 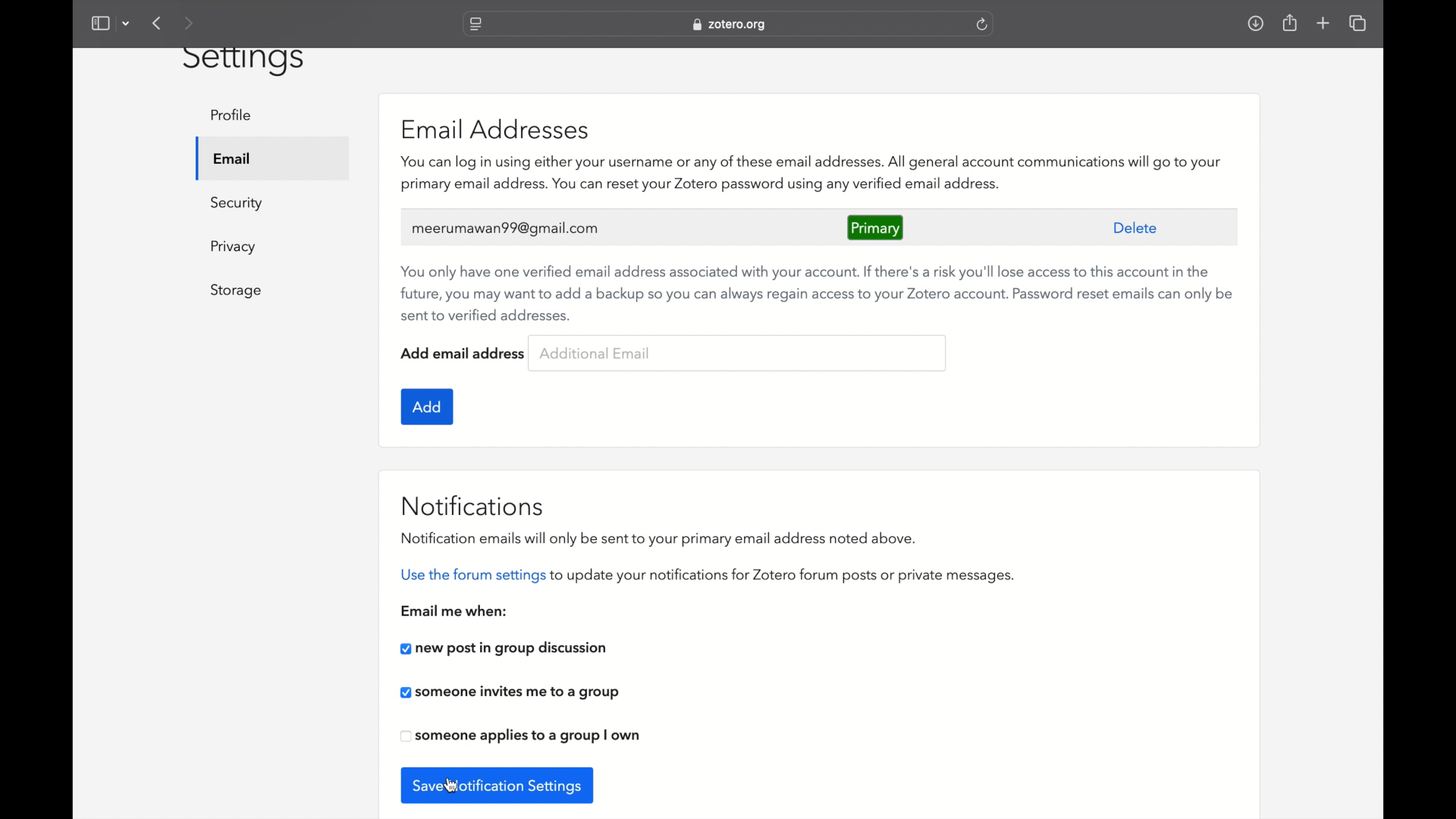 I want to click on notifications, so click(x=472, y=505).